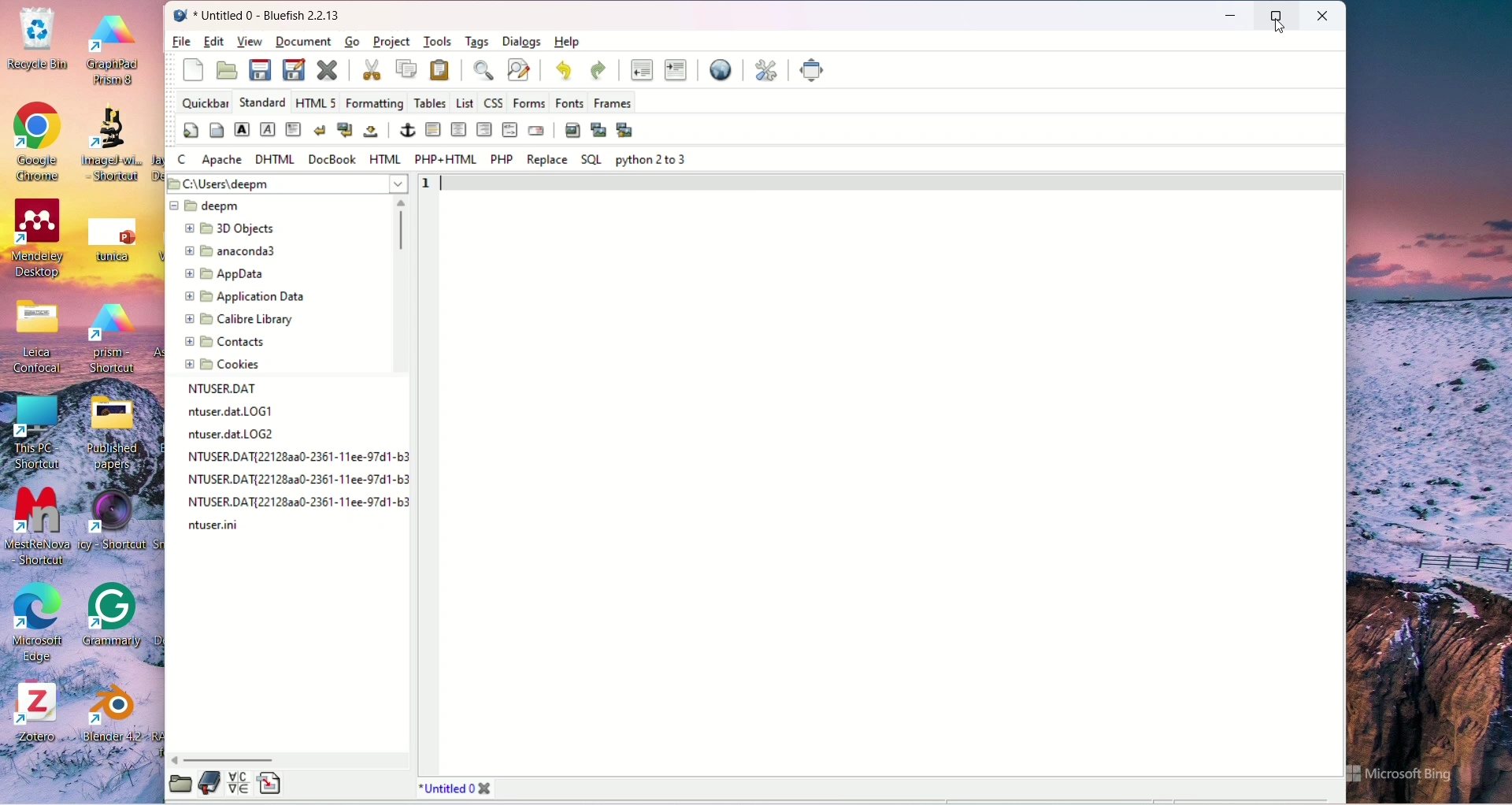 The width and height of the screenshot is (1512, 805). What do you see at coordinates (510, 131) in the screenshot?
I see `HTML comment` at bounding box center [510, 131].